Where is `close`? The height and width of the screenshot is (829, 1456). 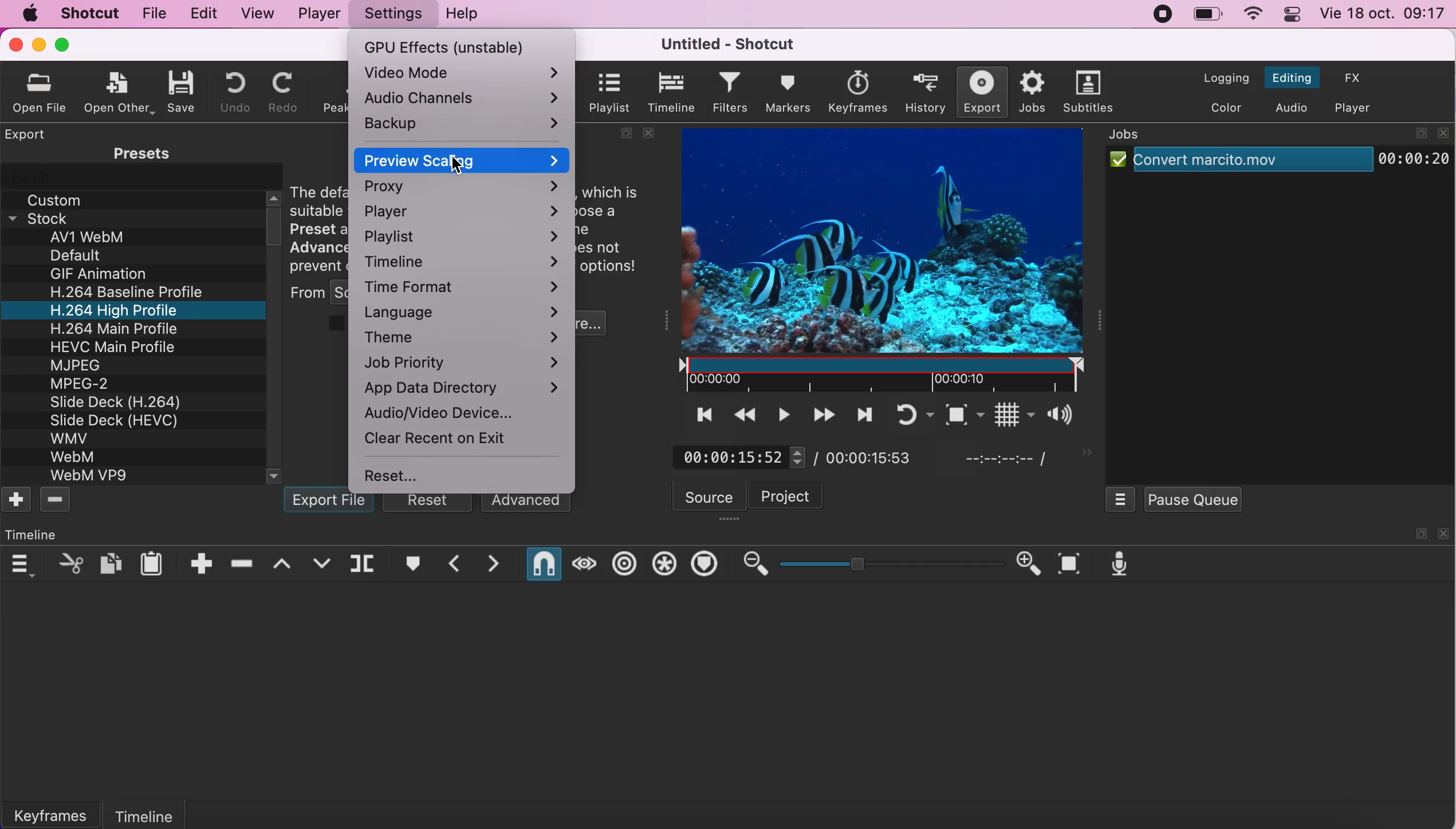 close is located at coordinates (1444, 534).